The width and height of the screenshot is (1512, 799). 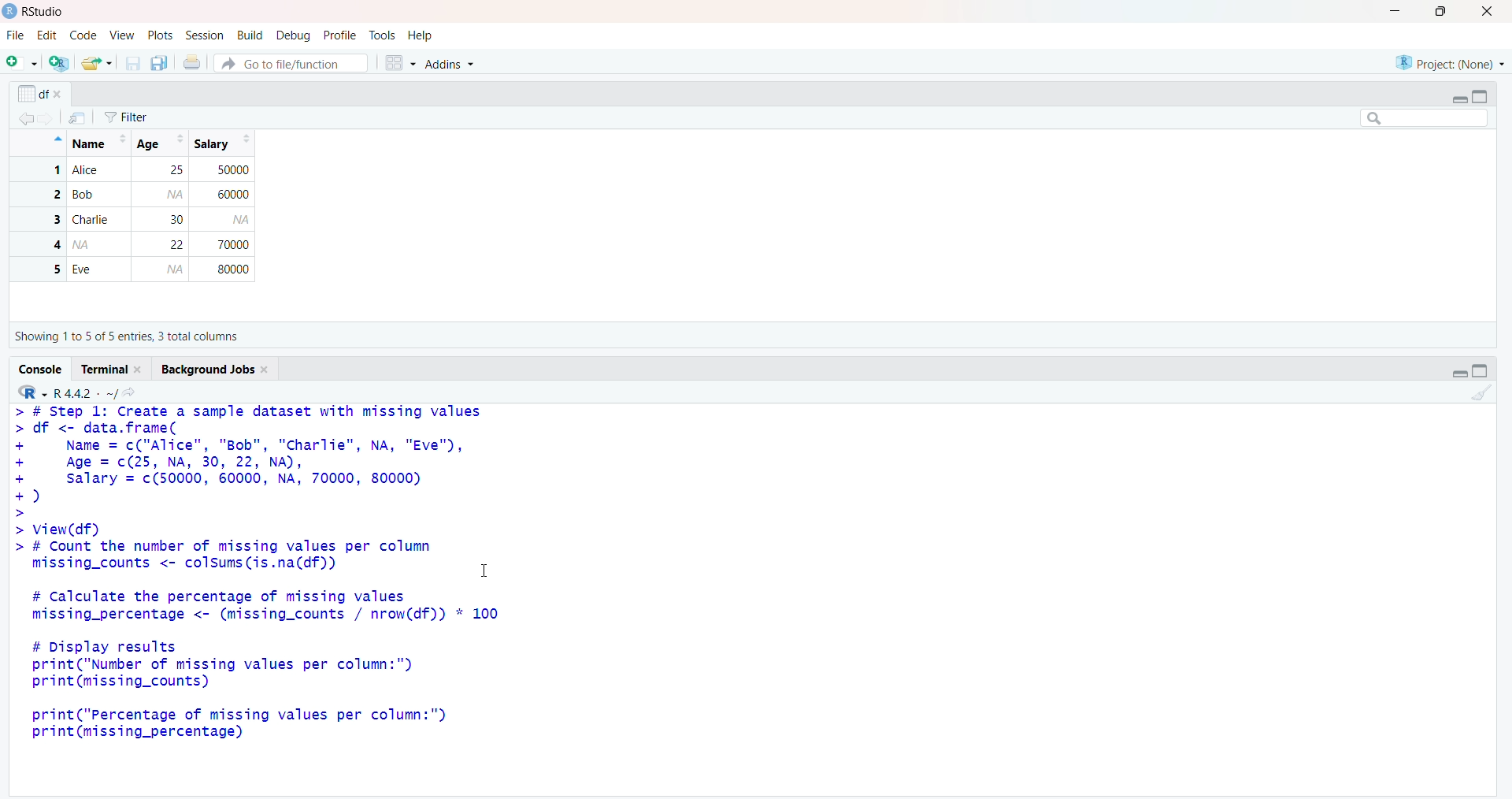 What do you see at coordinates (341, 34) in the screenshot?
I see `Profile` at bounding box center [341, 34].